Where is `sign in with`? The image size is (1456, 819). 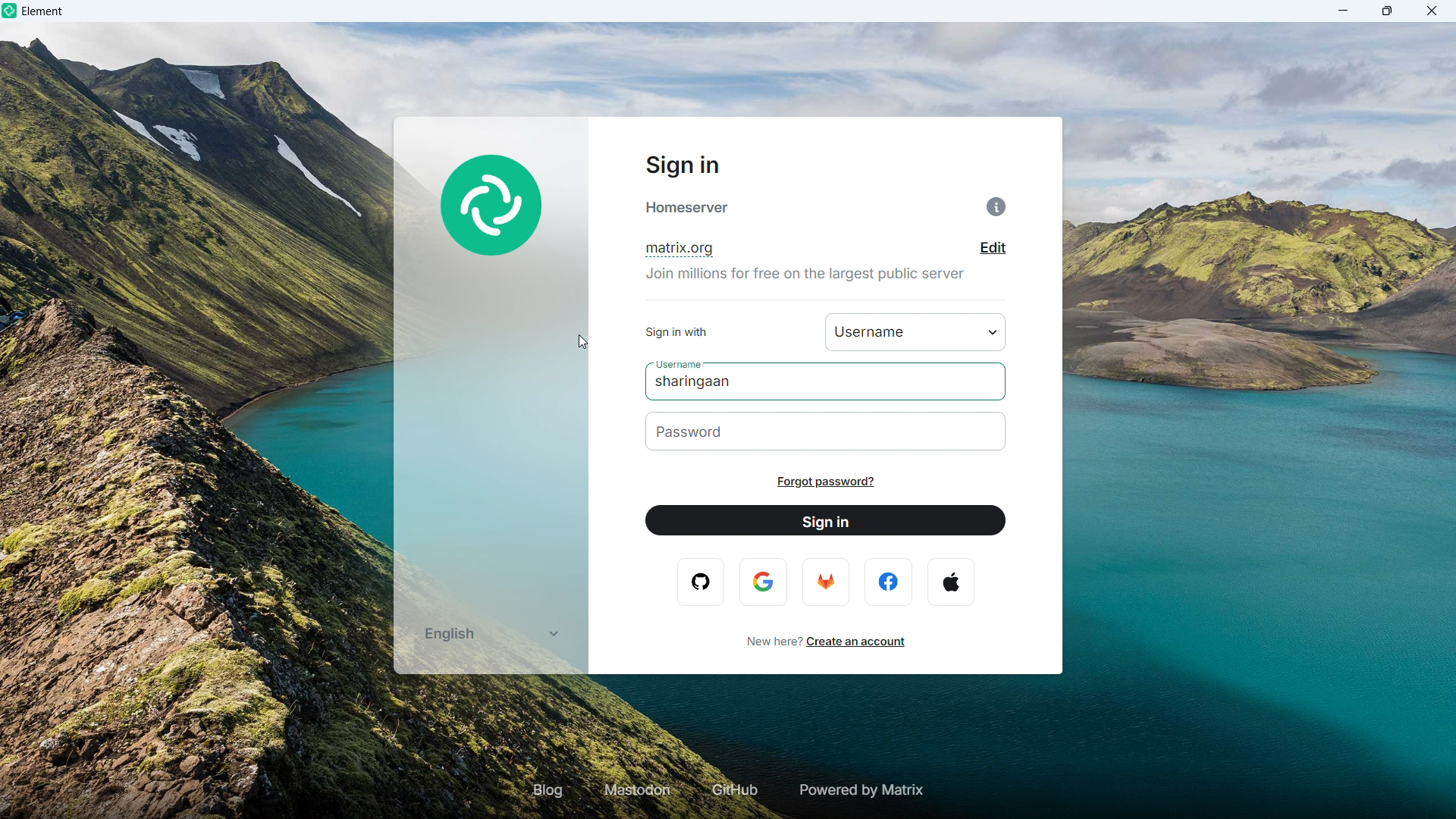 sign in with is located at coordinates (676, 334).